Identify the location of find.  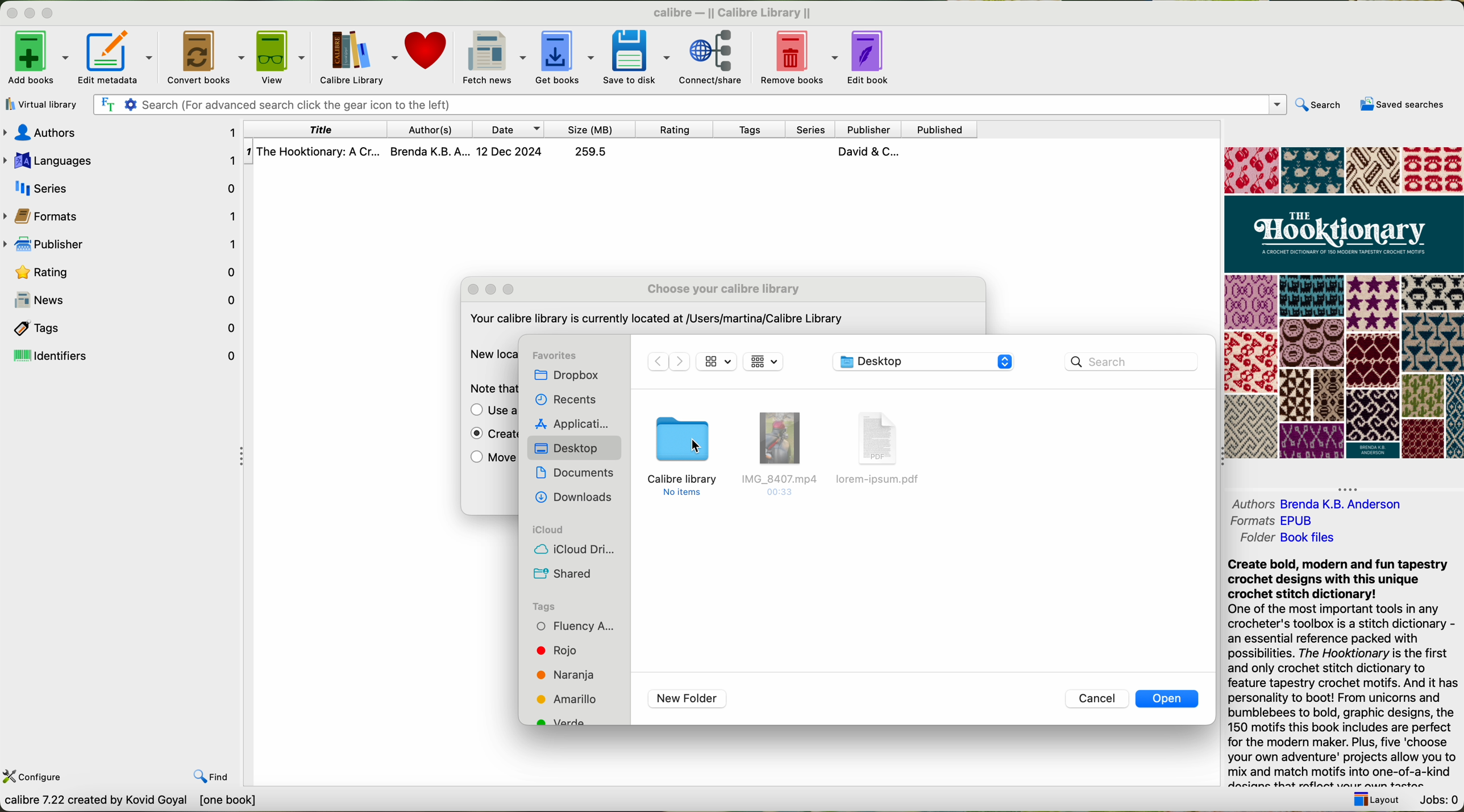
(210, 776).